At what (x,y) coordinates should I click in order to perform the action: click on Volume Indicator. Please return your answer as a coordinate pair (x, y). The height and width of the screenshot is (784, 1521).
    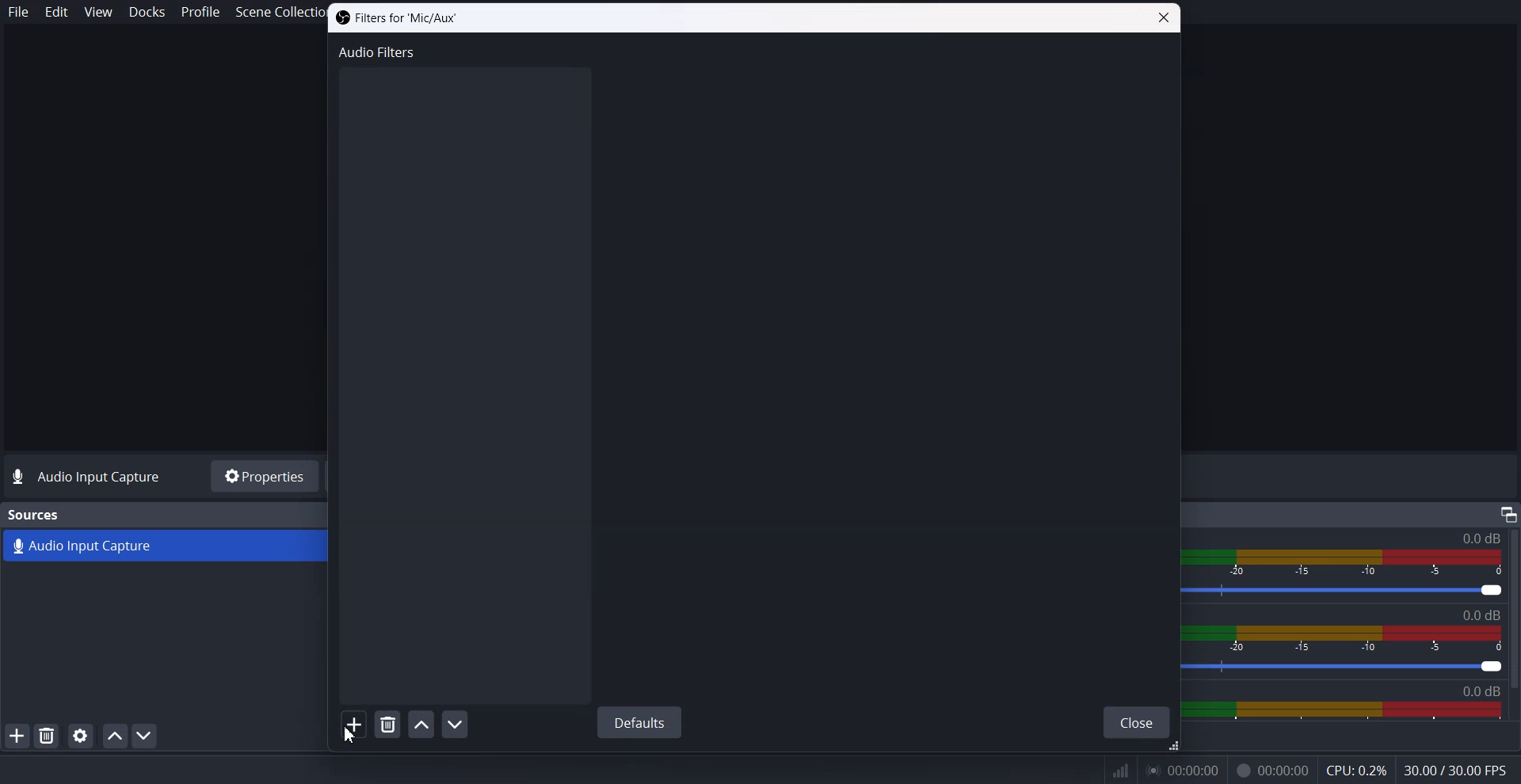
    Looking at the image, I should click on (1355, 640).